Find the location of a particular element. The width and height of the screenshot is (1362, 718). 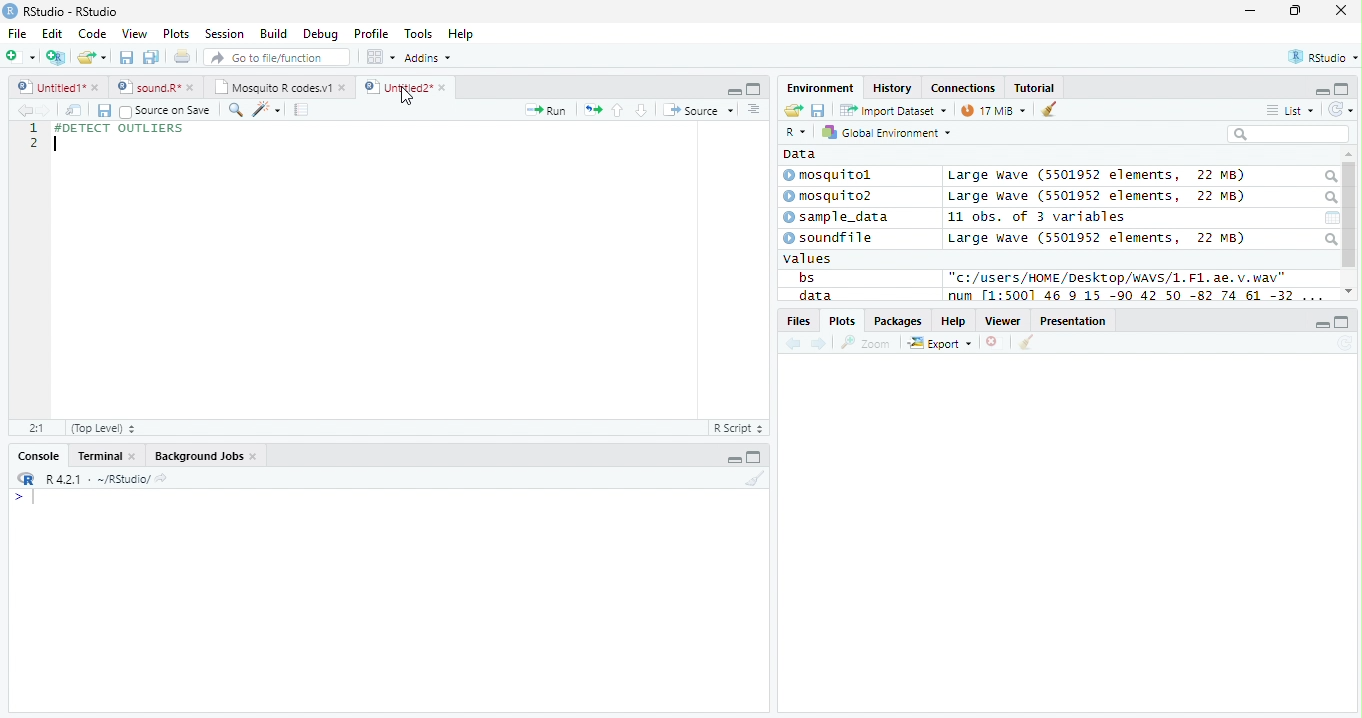

History is located at coordinates (892, 88).